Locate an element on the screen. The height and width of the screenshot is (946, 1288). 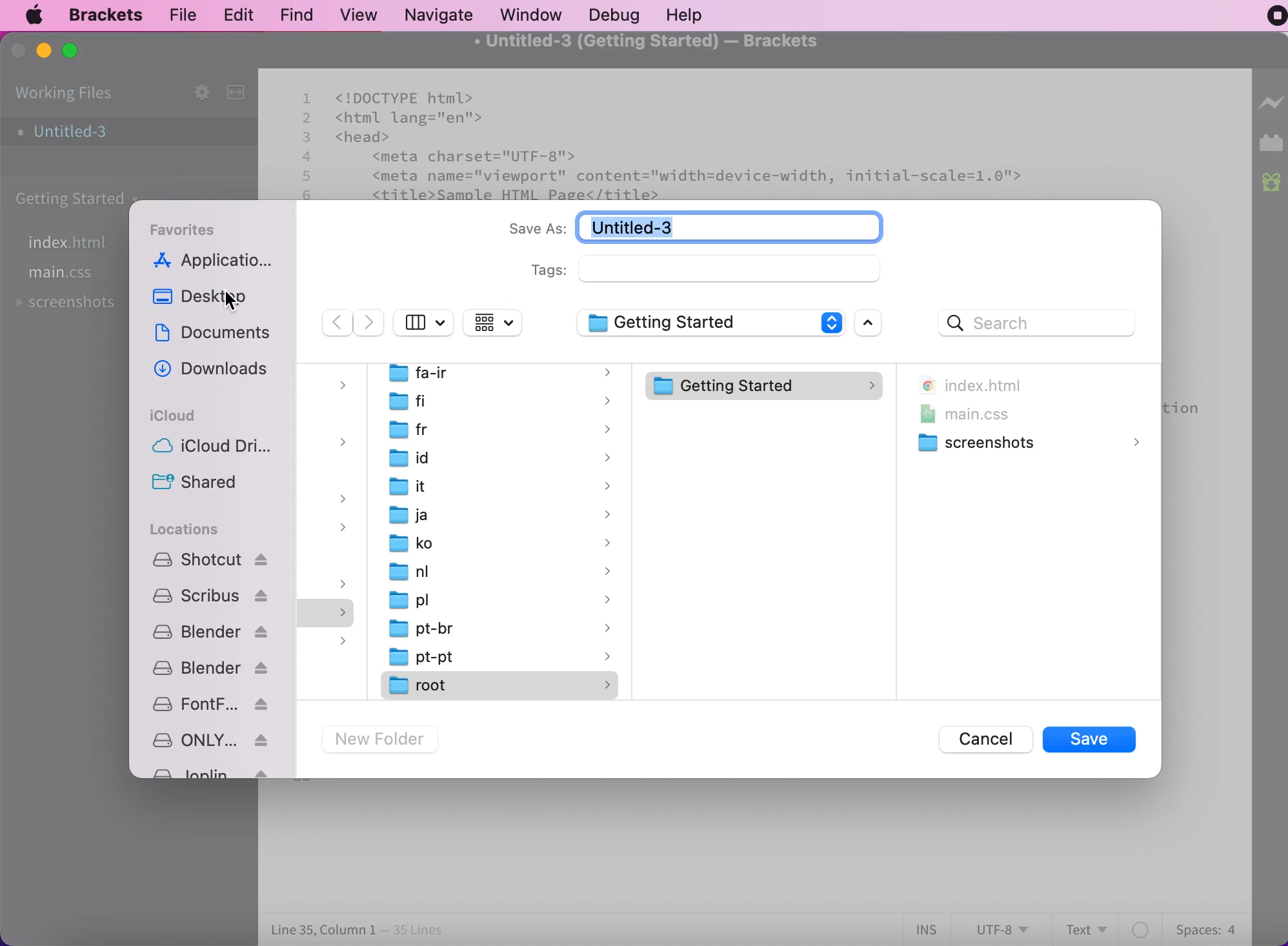
fontforge is located at coordinates (211, 705).